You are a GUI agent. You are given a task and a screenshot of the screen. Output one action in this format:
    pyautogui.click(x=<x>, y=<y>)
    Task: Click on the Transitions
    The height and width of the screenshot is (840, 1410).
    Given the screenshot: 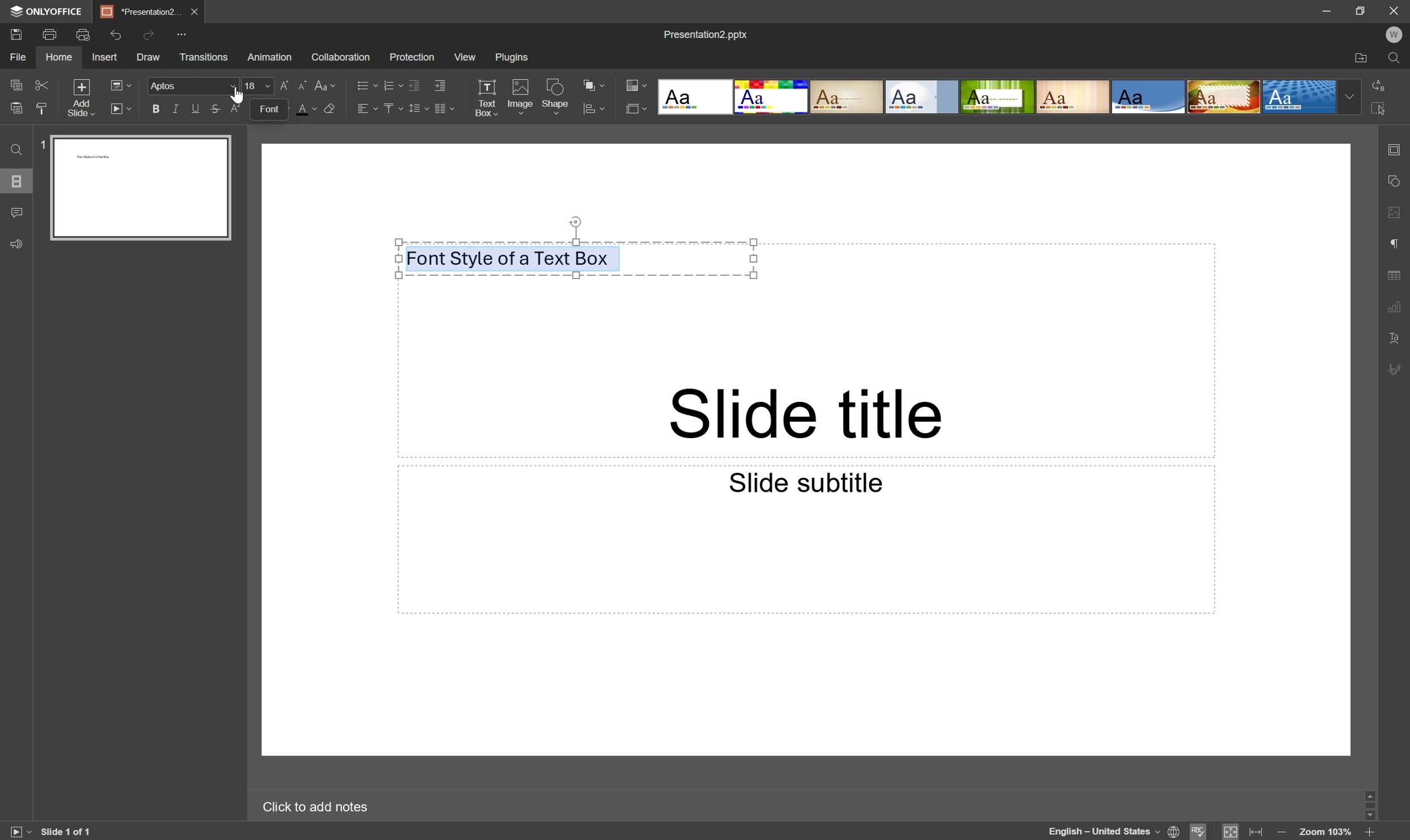 What is the action you would take?
    pyautogui.click(x=204, y=57)
    